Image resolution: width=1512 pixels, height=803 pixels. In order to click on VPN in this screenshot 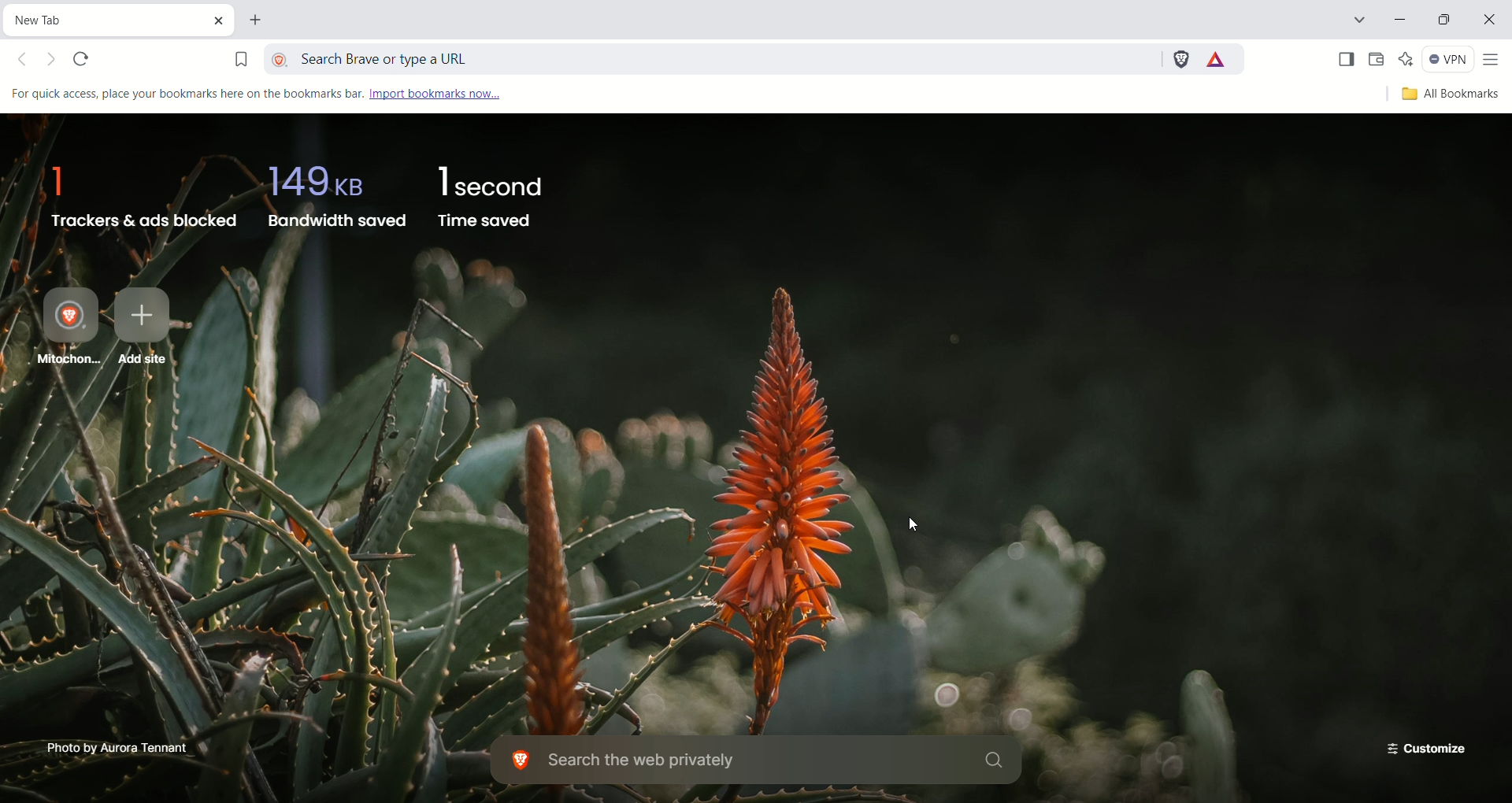, I will do `click(1449, 61)`.